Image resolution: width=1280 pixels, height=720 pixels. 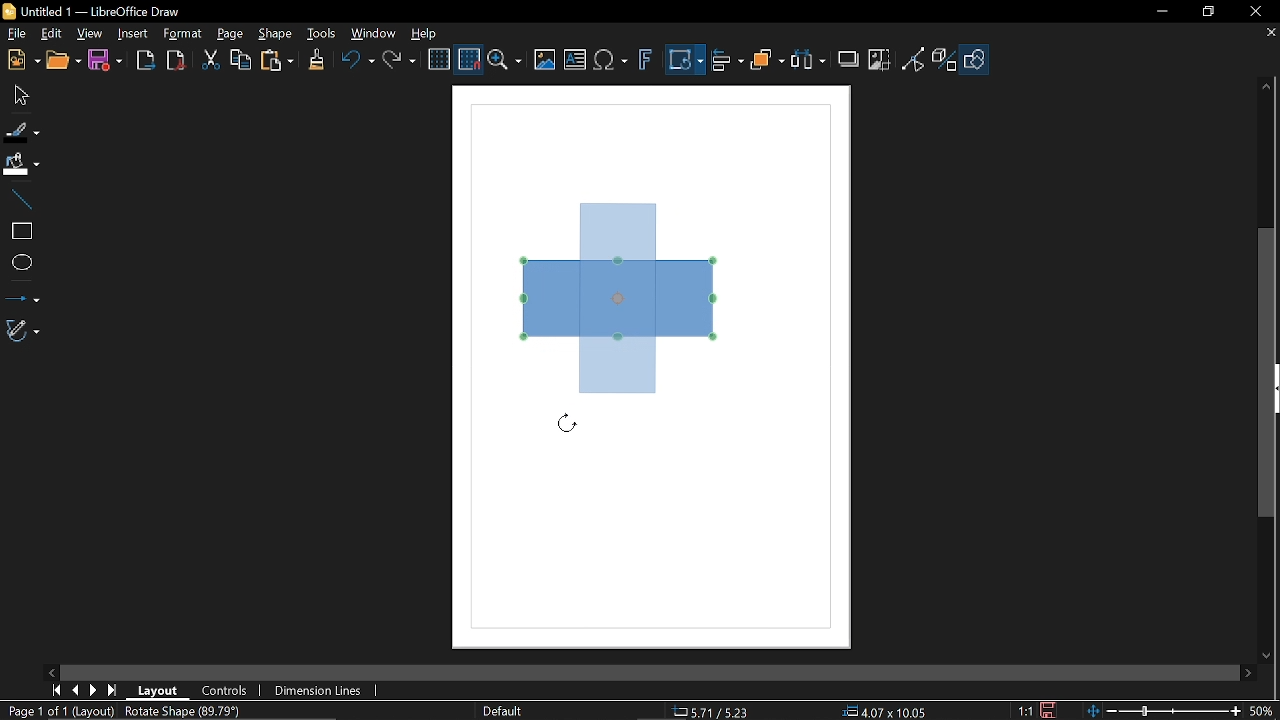 I want to click on 10.00x4.00(Object Size), so click(x=885, y=712).